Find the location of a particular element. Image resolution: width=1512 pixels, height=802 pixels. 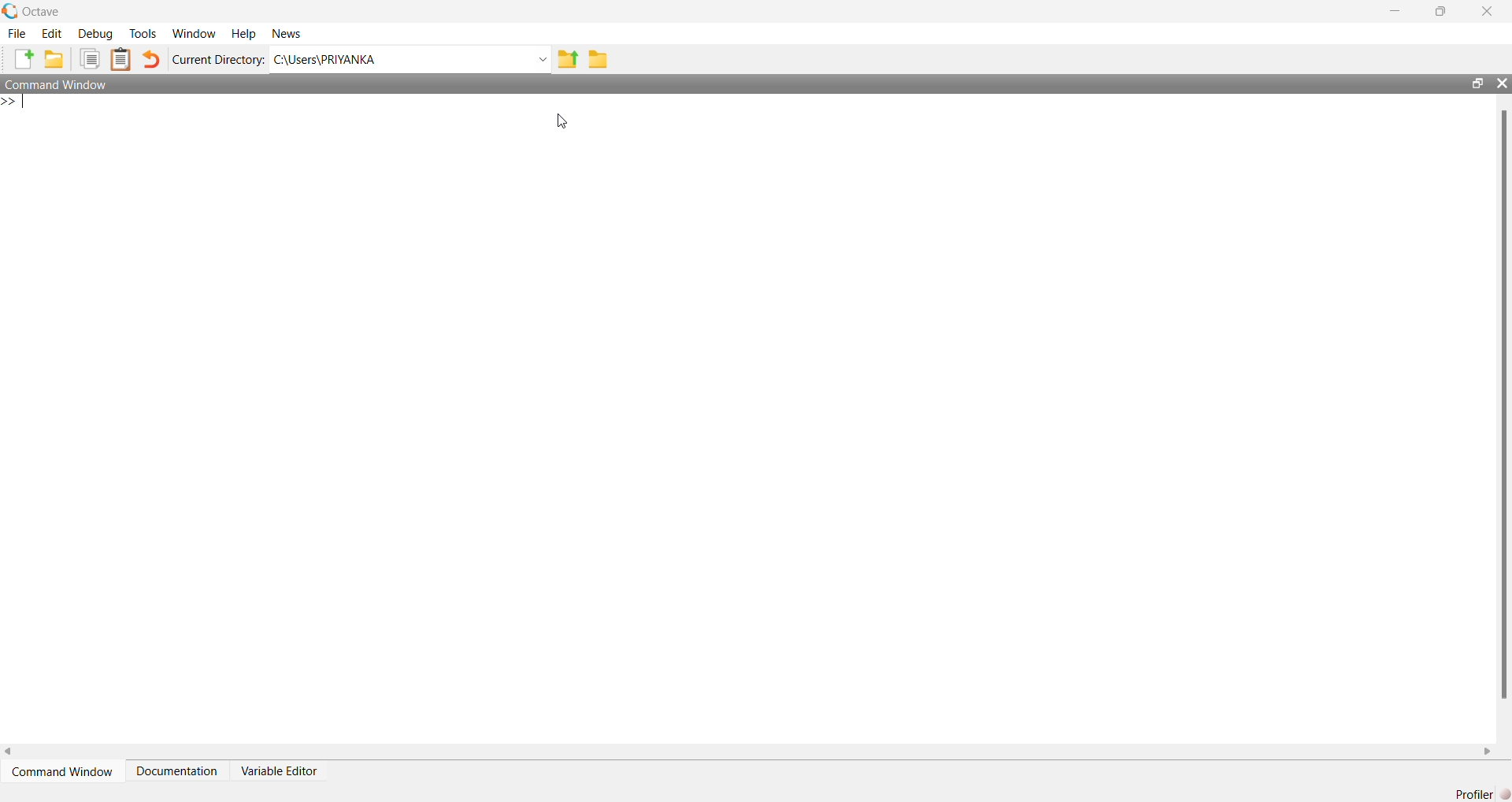

undo is located at coordinates (153, 62).